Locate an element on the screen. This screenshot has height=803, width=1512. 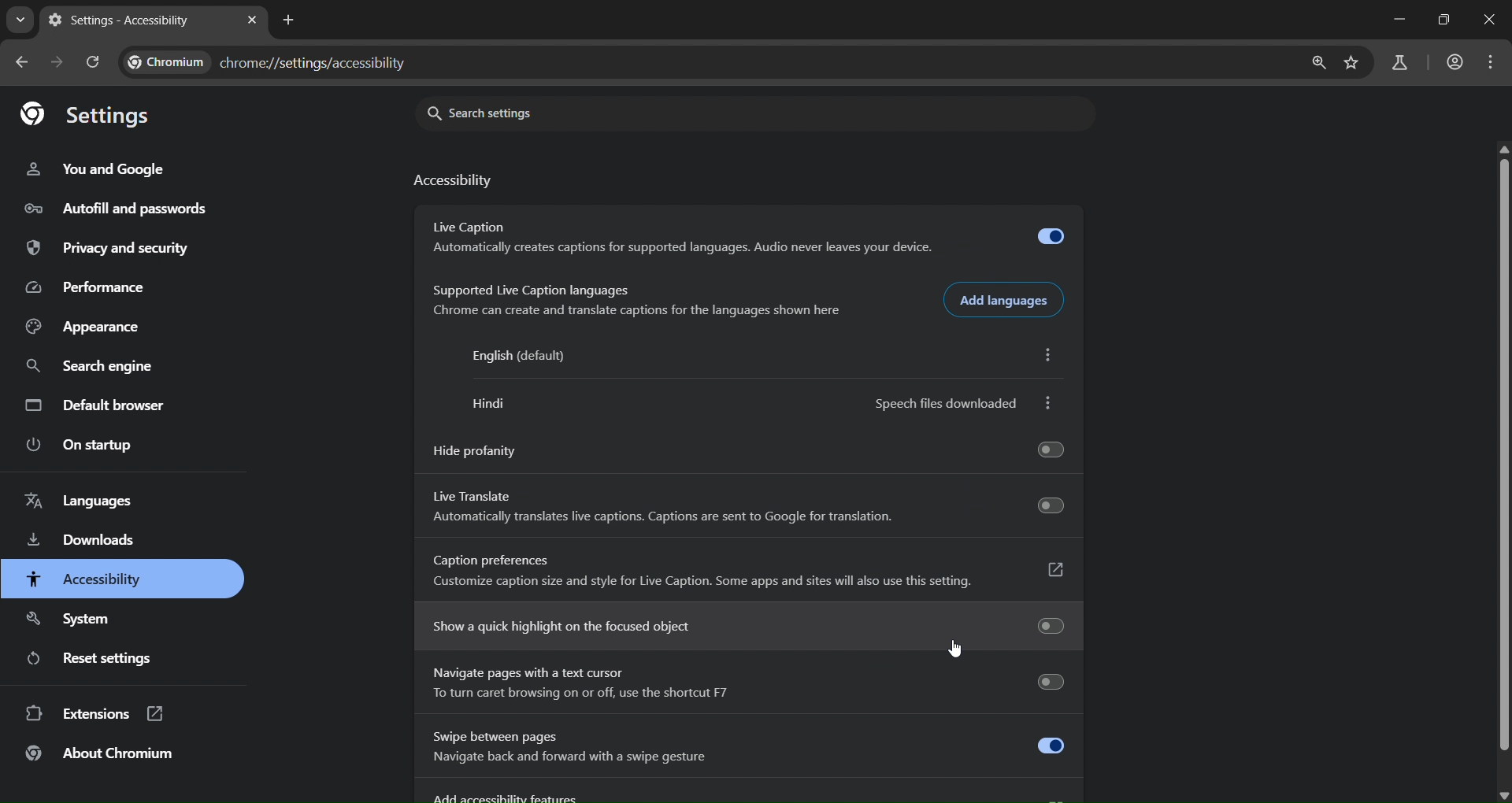
settings is located at coordinates (95, 115).